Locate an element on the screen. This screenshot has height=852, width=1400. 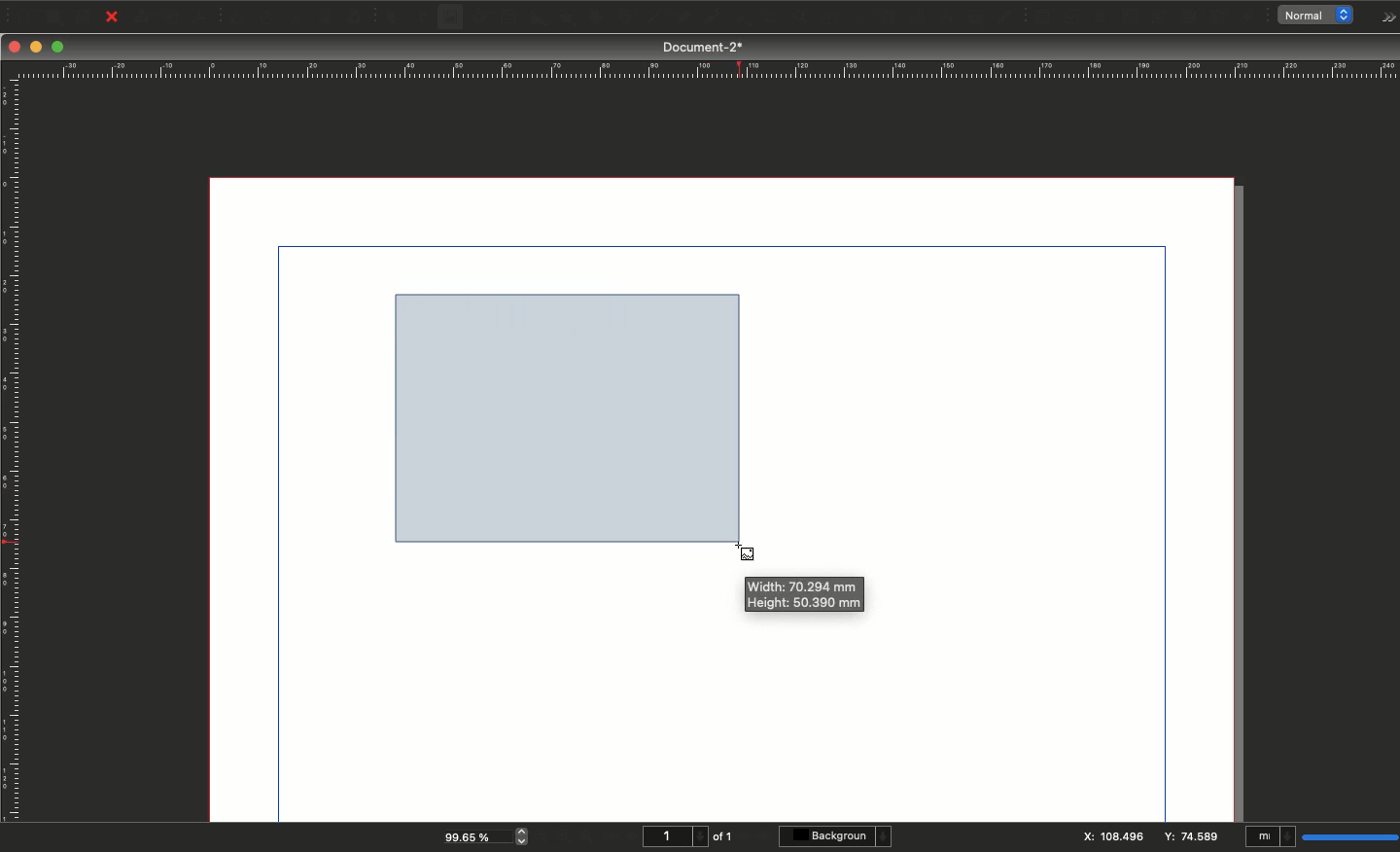
cursor is located at coordinates (742, 554).